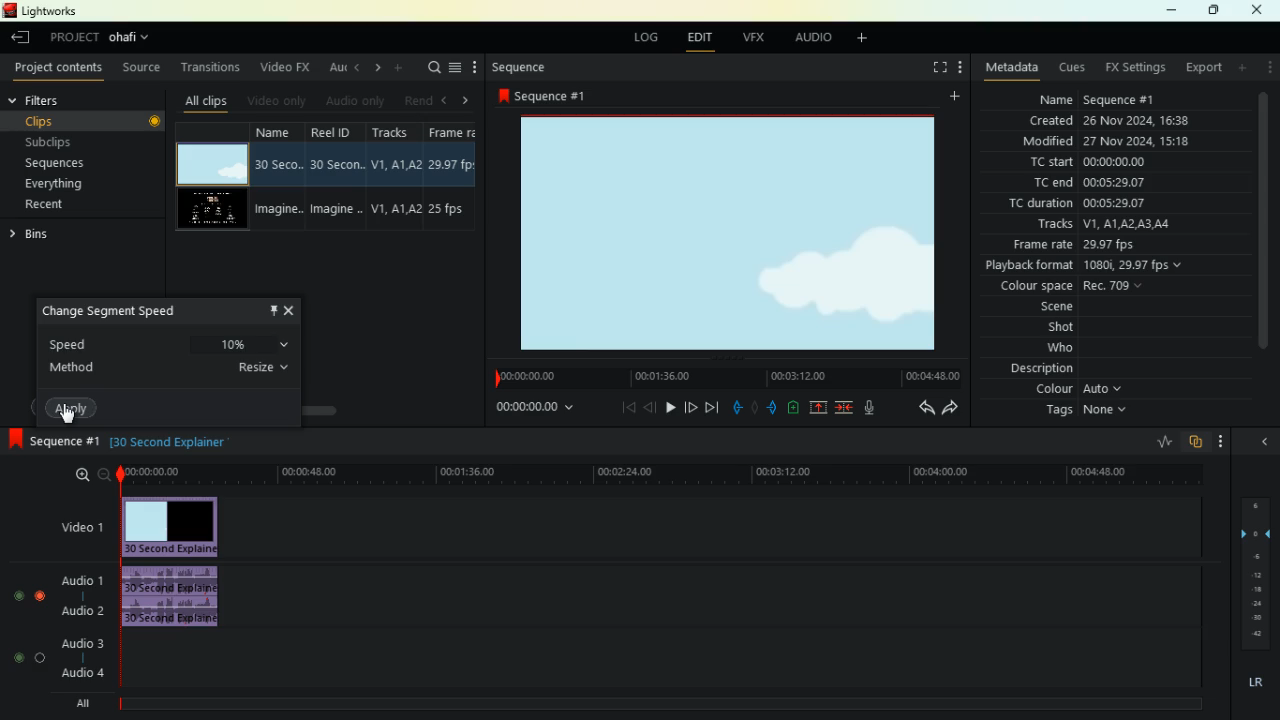 The height and width of the screenshot is (720, 1280). Describe the element at coordinates (930, 67) in the screenshot. I see `fullscreen` at that location.